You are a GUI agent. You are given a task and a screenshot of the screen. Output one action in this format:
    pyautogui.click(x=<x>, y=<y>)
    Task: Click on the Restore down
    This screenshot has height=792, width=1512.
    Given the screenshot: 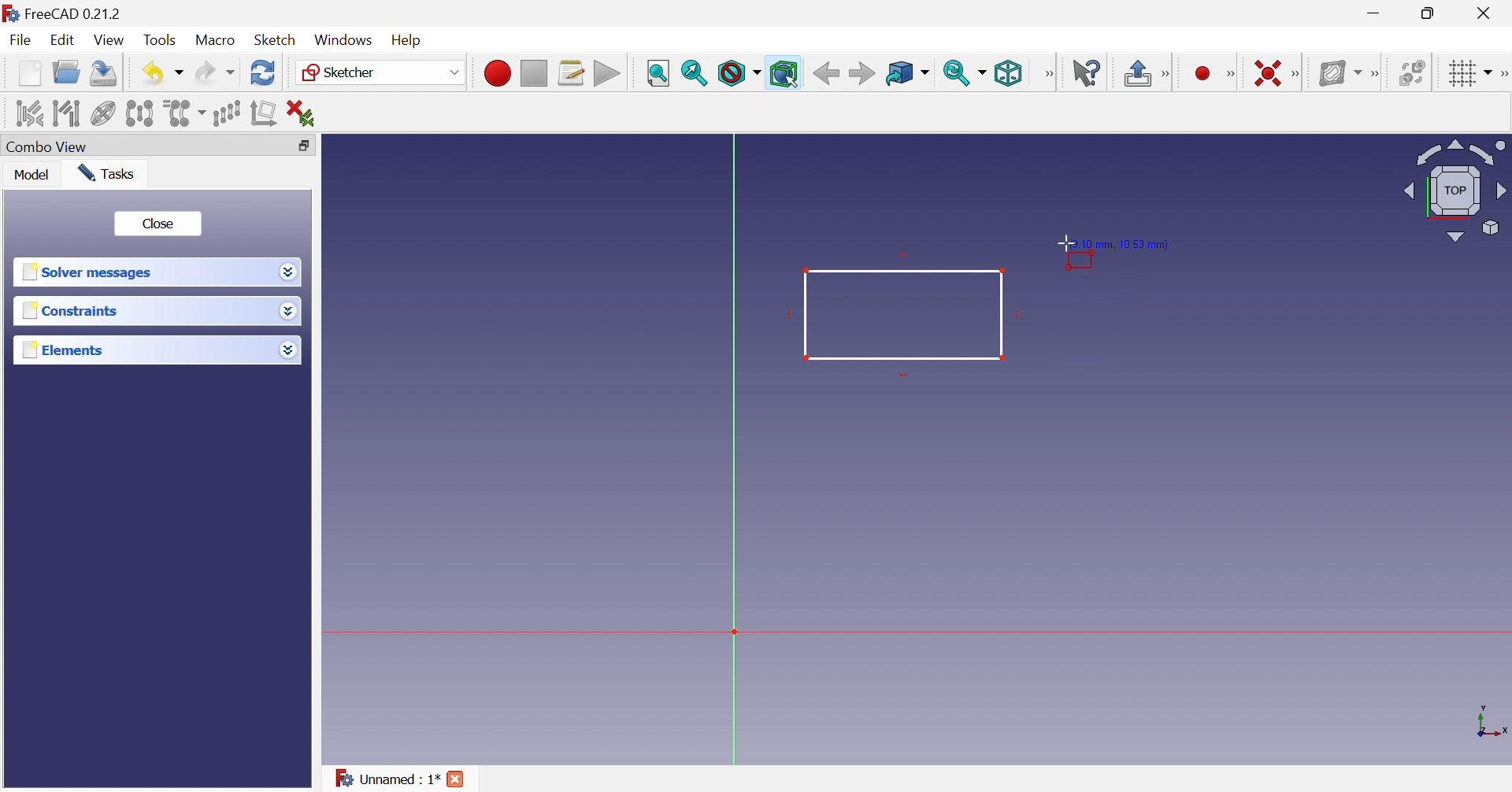 What is the action you would take?
    pyautogui.click(x=306, y=147)
    